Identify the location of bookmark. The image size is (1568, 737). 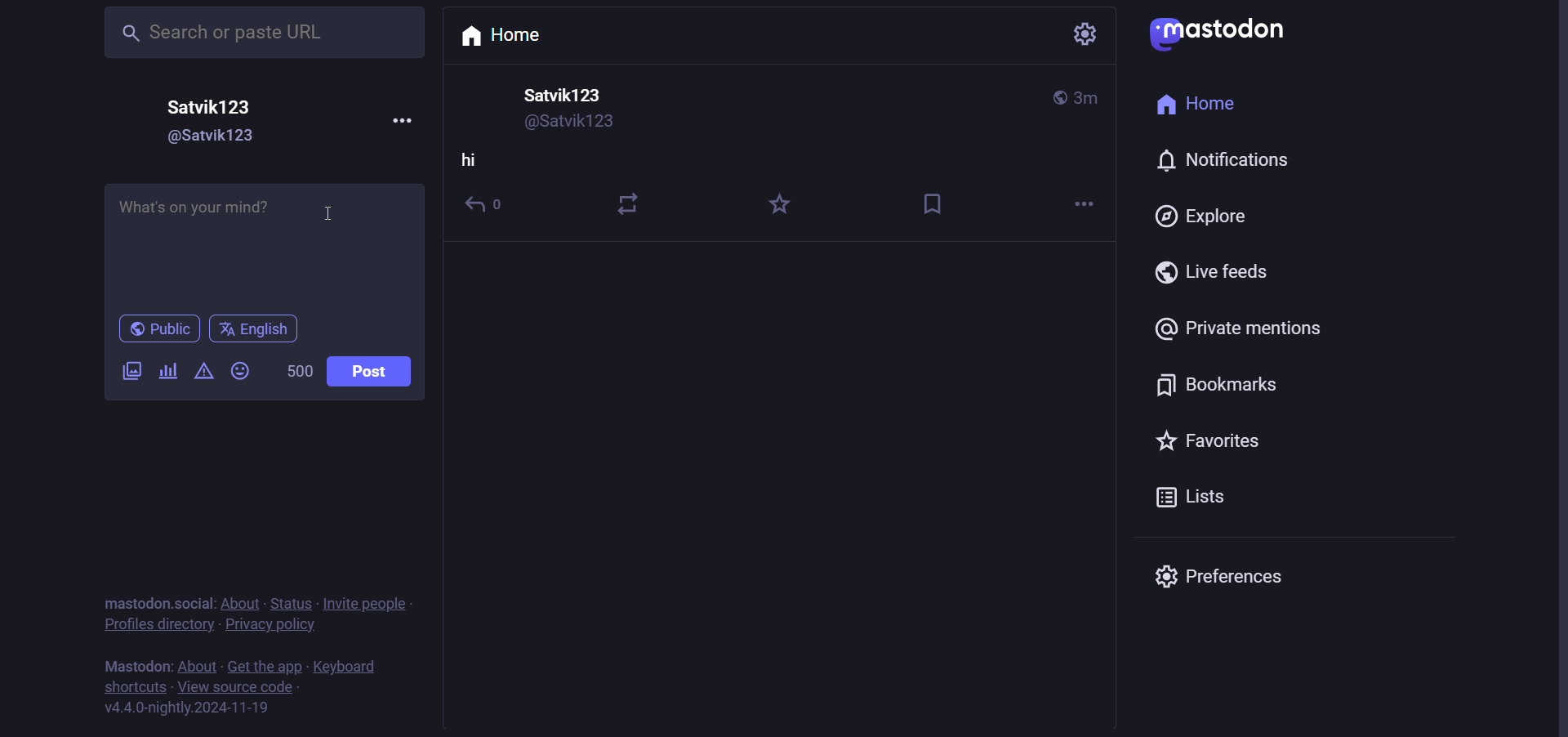
(1223, 386).